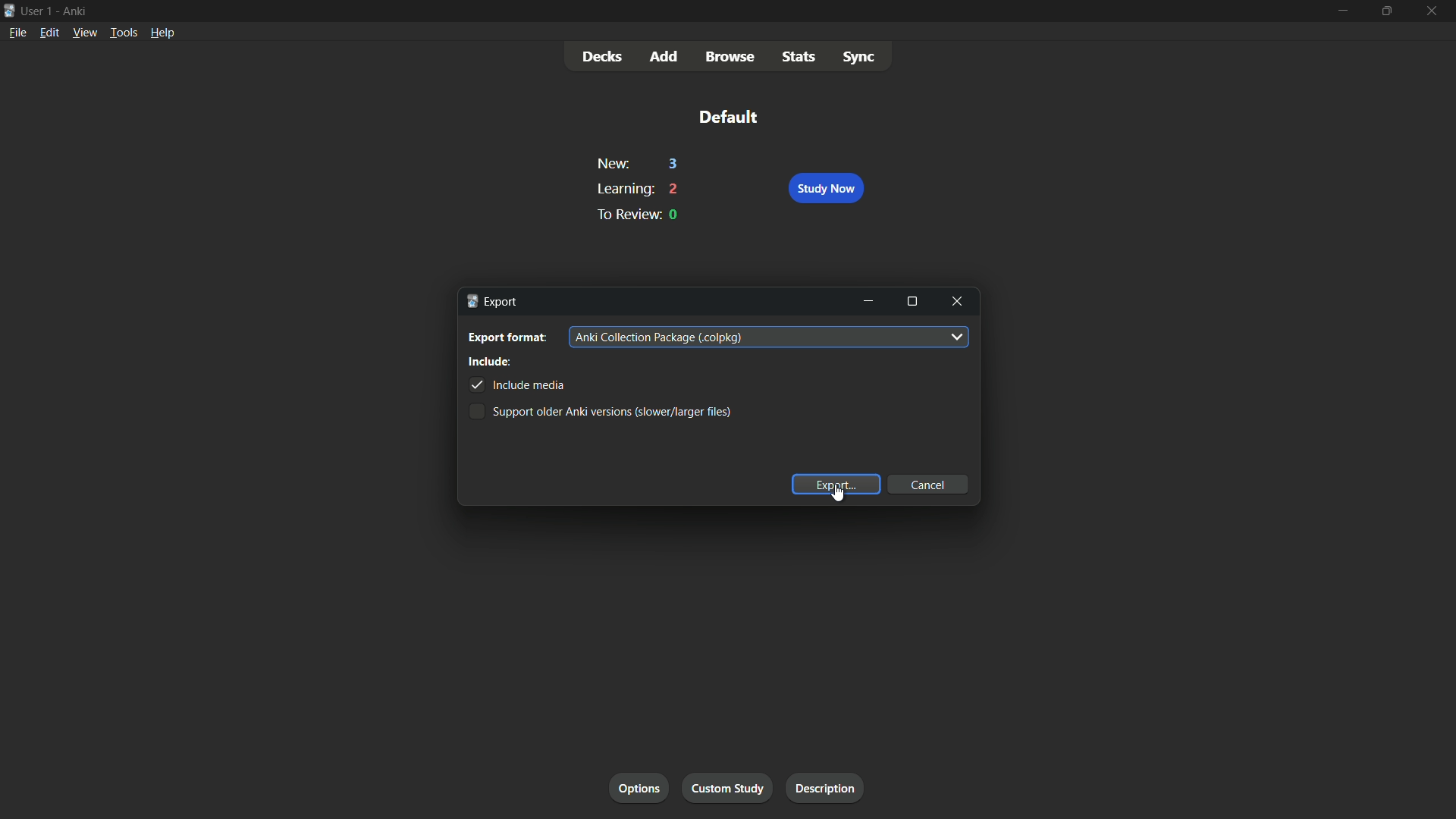  Describe the element at coordinates (1386, 10) in the screenshot. I see `maximize` at that location.